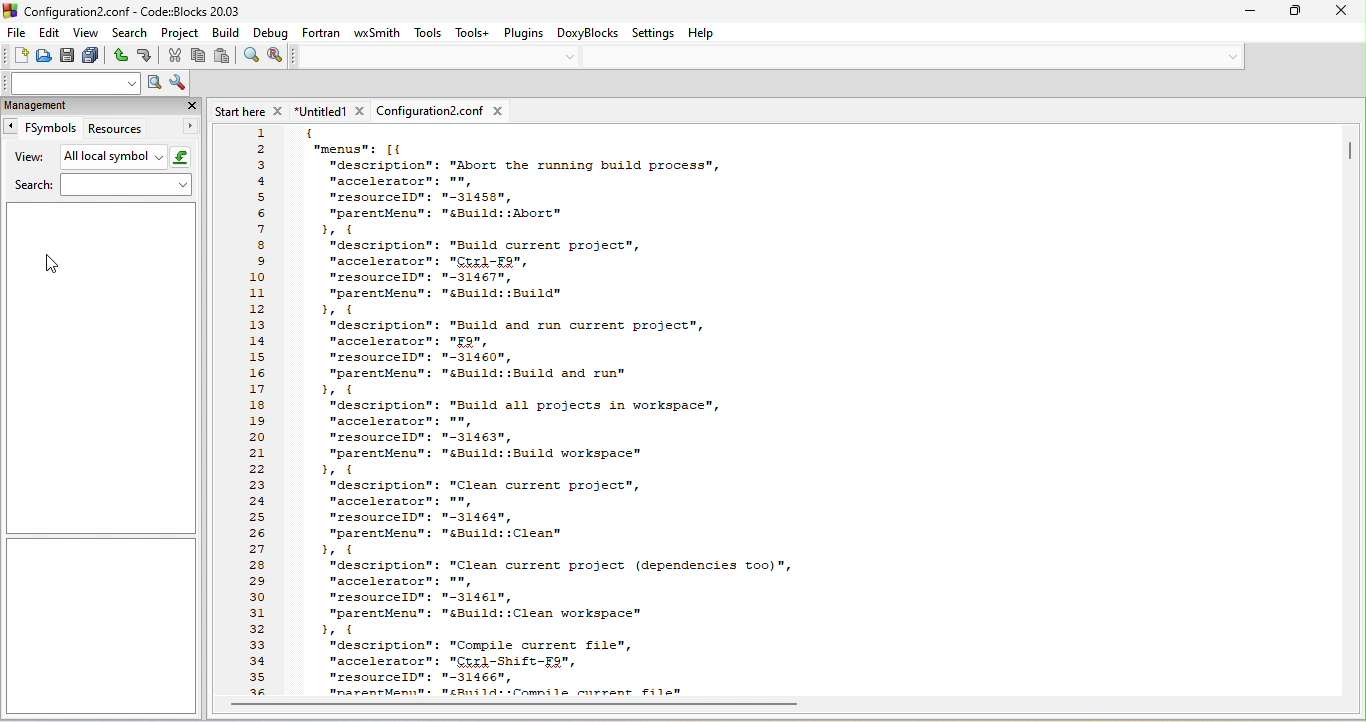  I want to click on show option window, so click(178, 83).